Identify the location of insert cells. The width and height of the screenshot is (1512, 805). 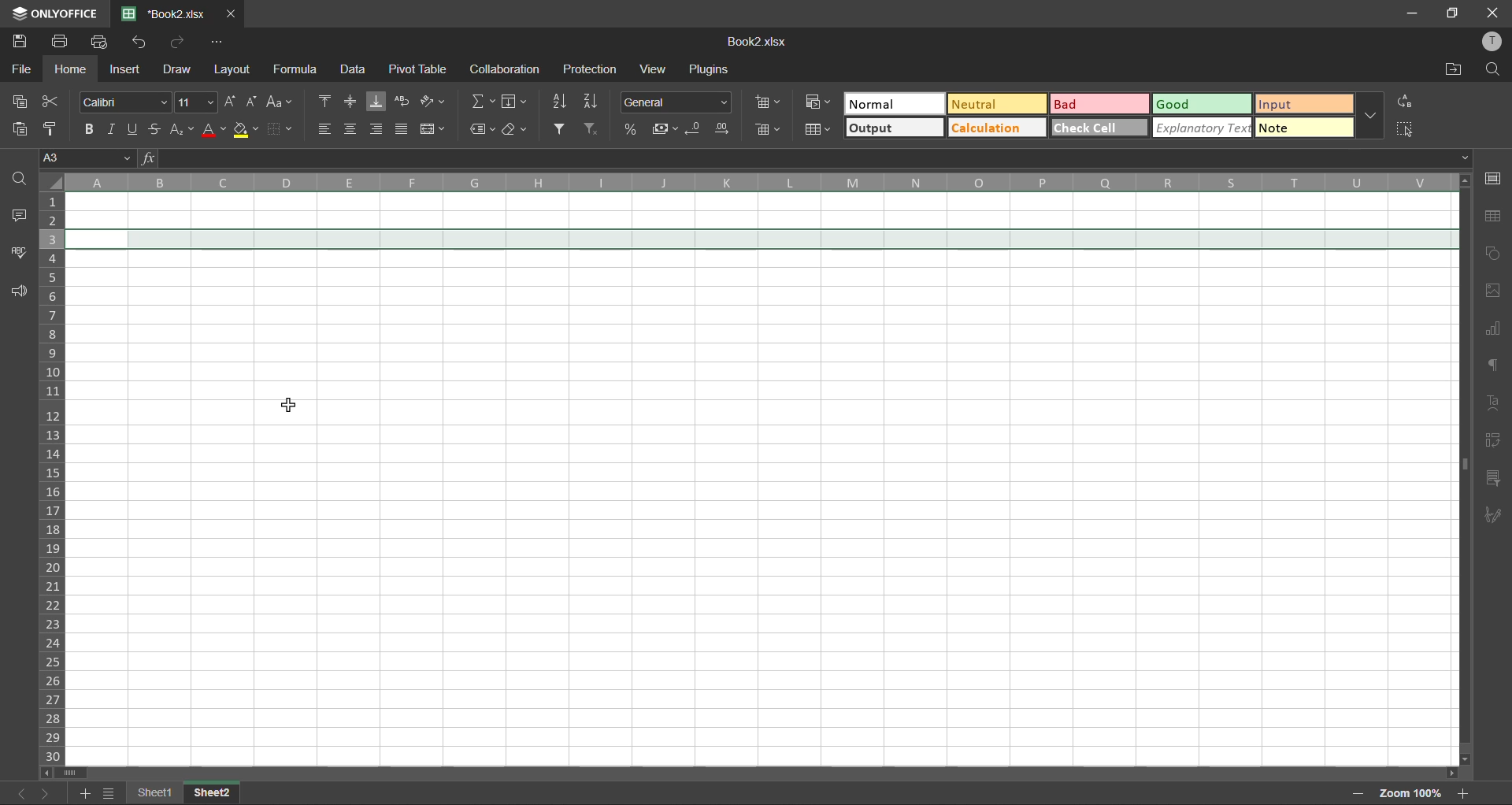
(769, 102).